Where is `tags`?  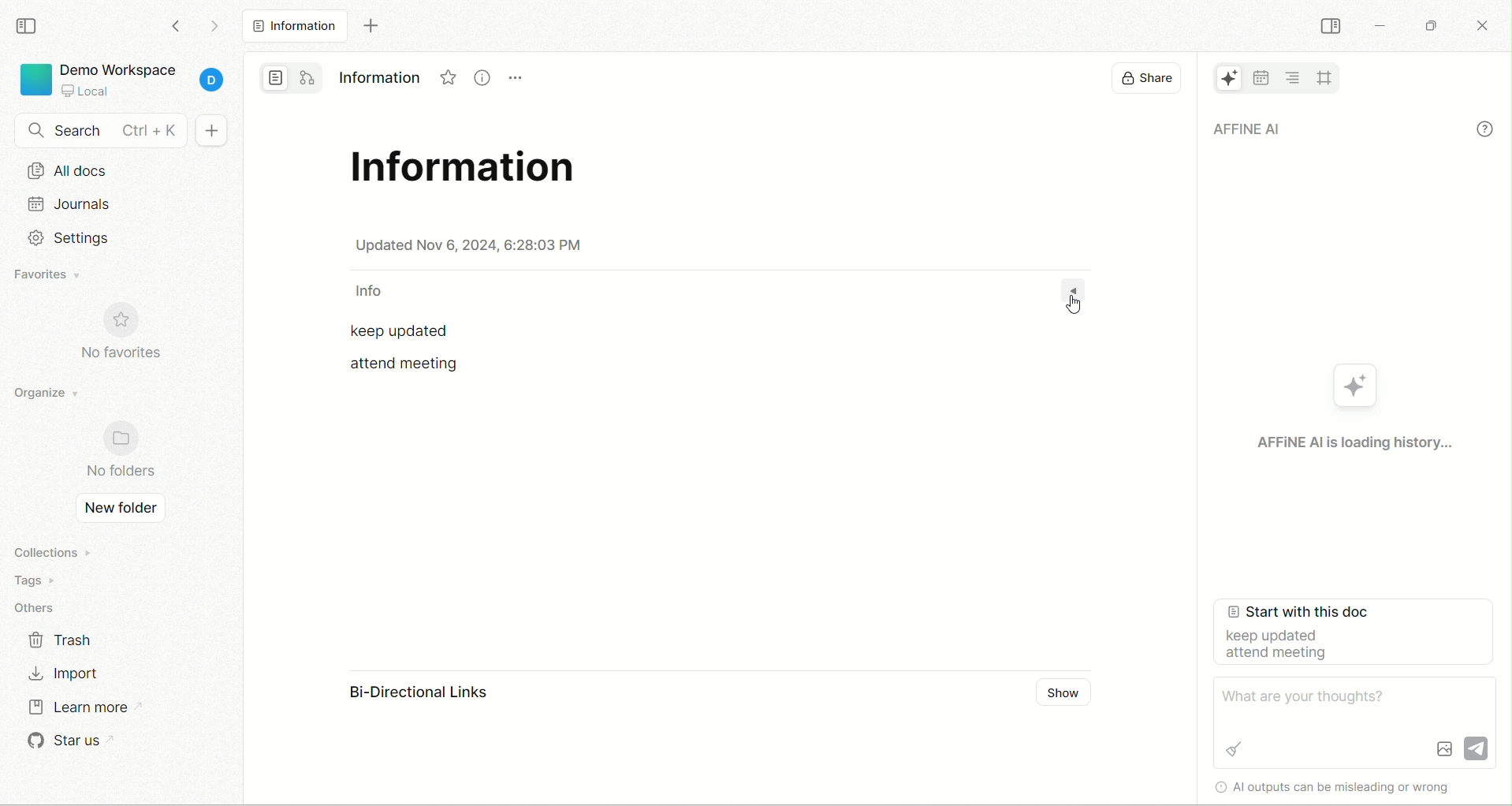 tags is located at coordinates (43, 578).